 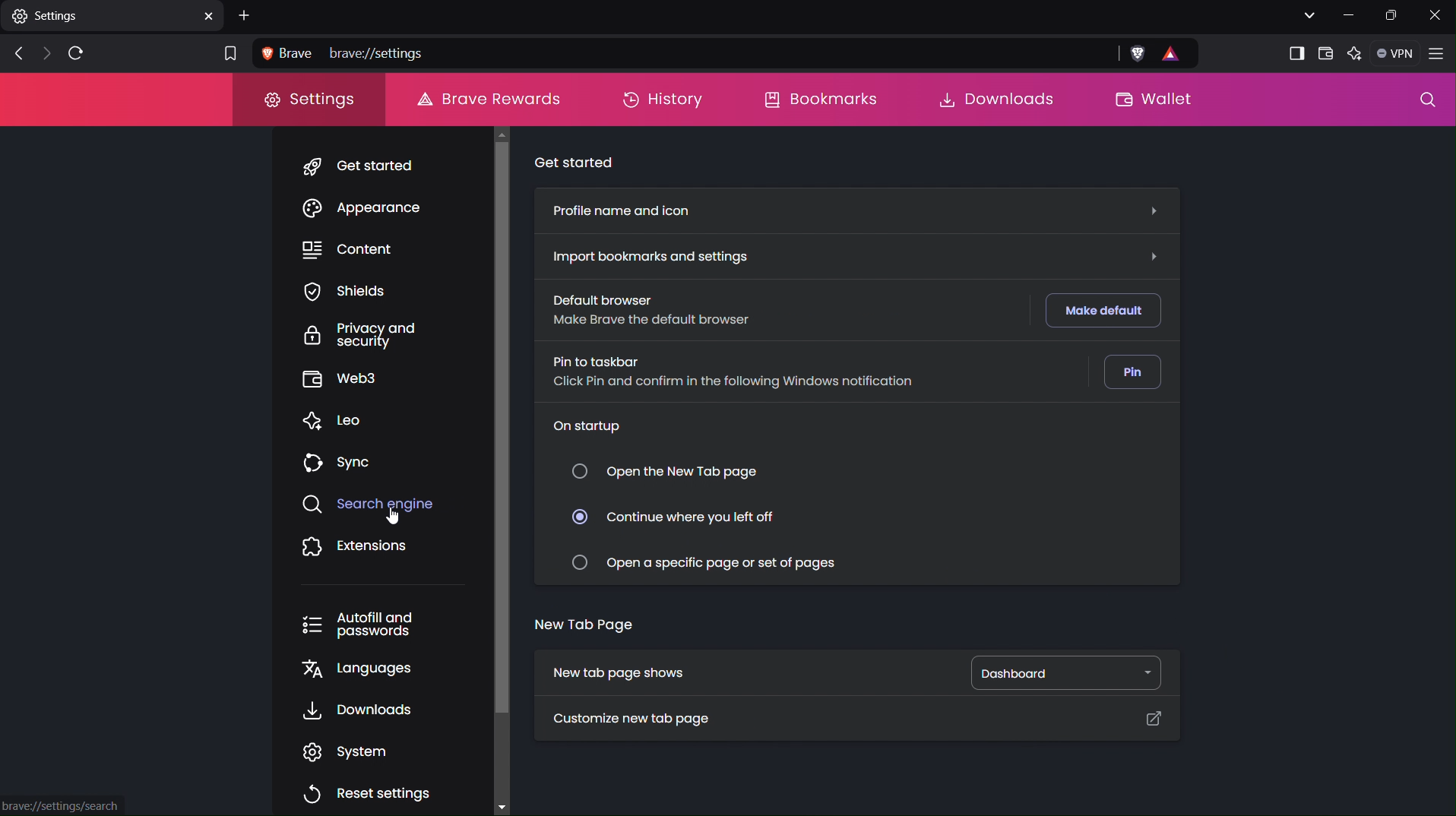 I want to click on On startup, so click(x=592, y=423).